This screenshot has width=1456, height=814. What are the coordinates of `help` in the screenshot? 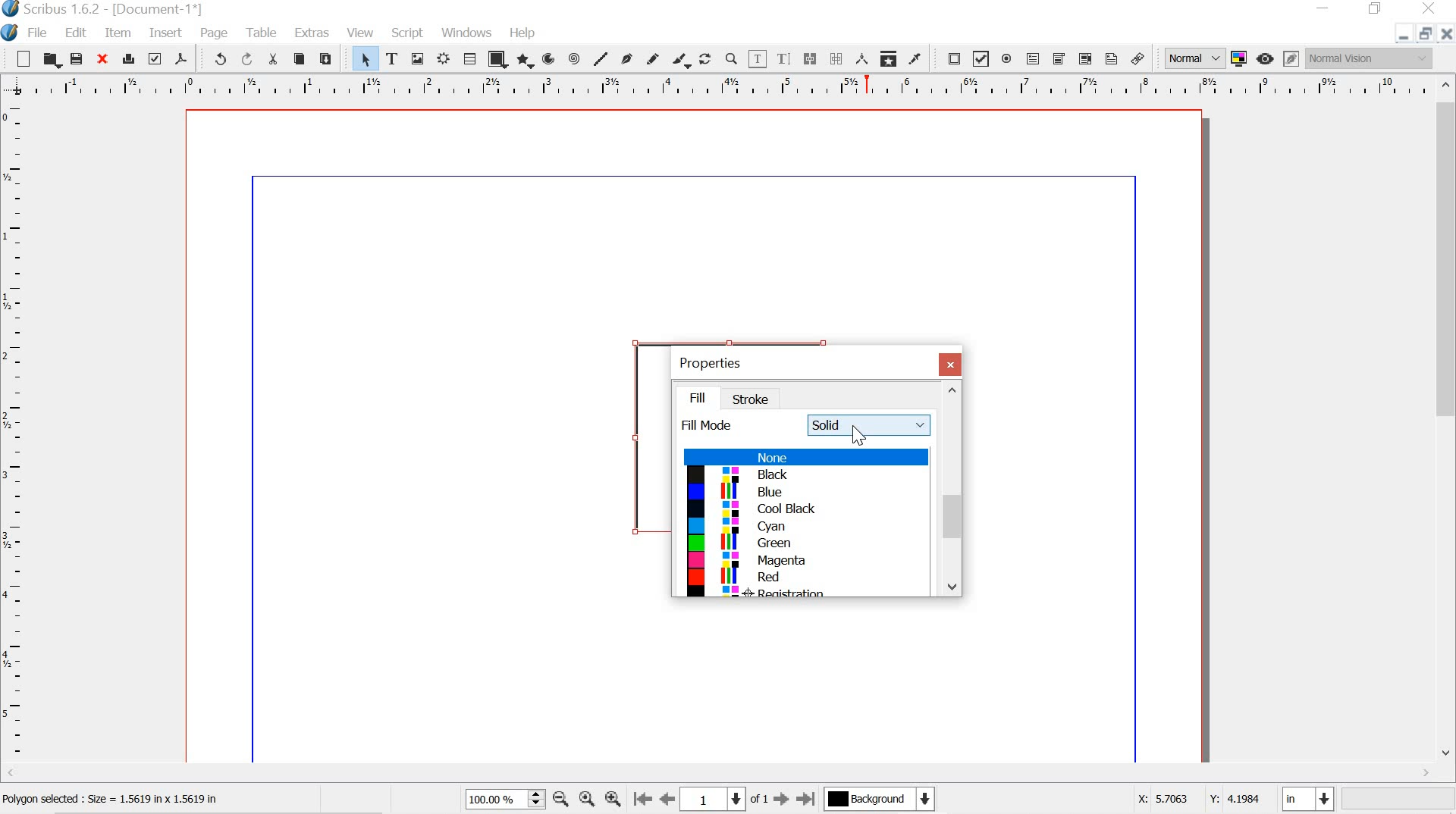 It's located at (520, 31).